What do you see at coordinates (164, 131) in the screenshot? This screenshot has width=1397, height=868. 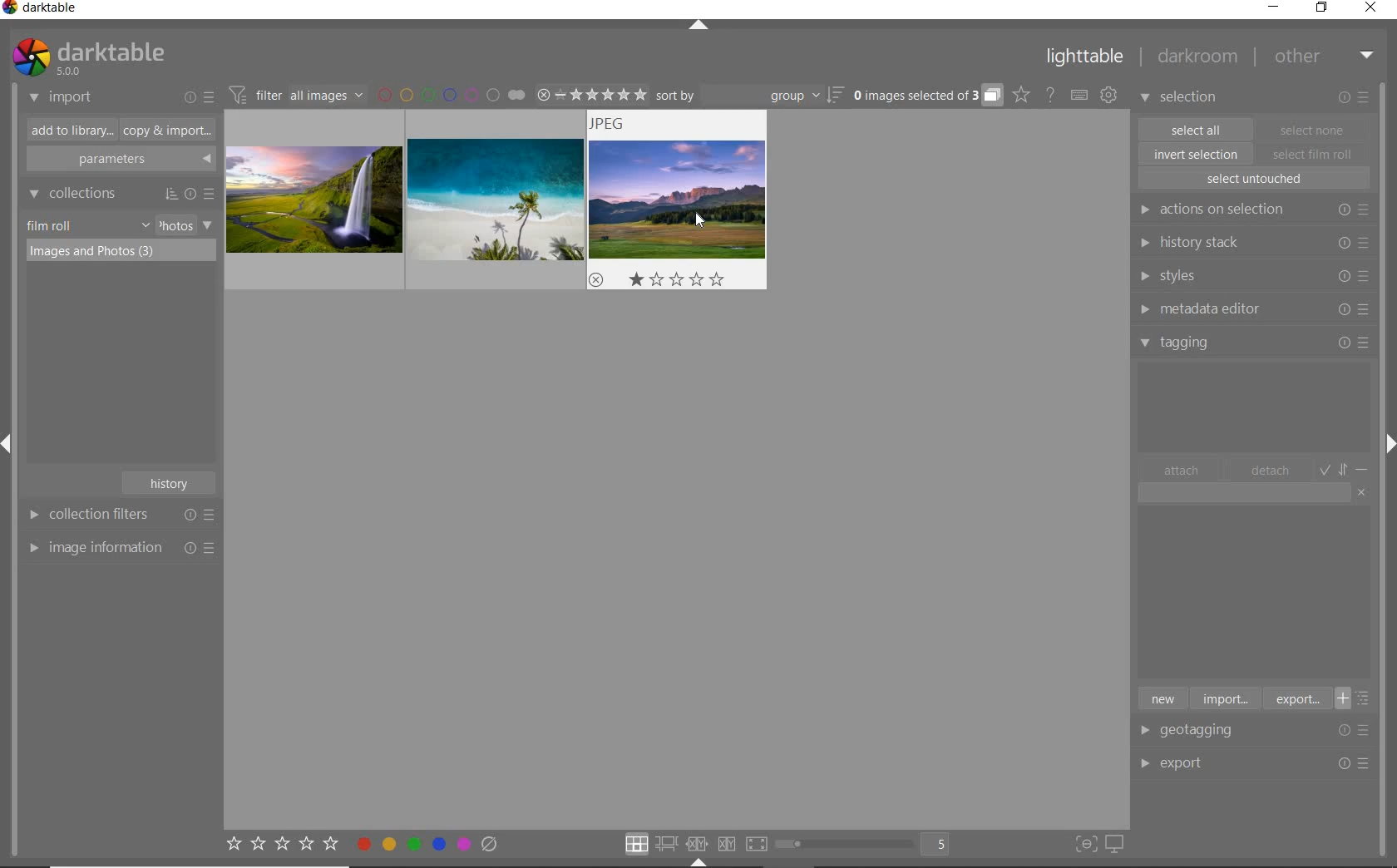 I see `copy & import` at bounding box center [164, 131].